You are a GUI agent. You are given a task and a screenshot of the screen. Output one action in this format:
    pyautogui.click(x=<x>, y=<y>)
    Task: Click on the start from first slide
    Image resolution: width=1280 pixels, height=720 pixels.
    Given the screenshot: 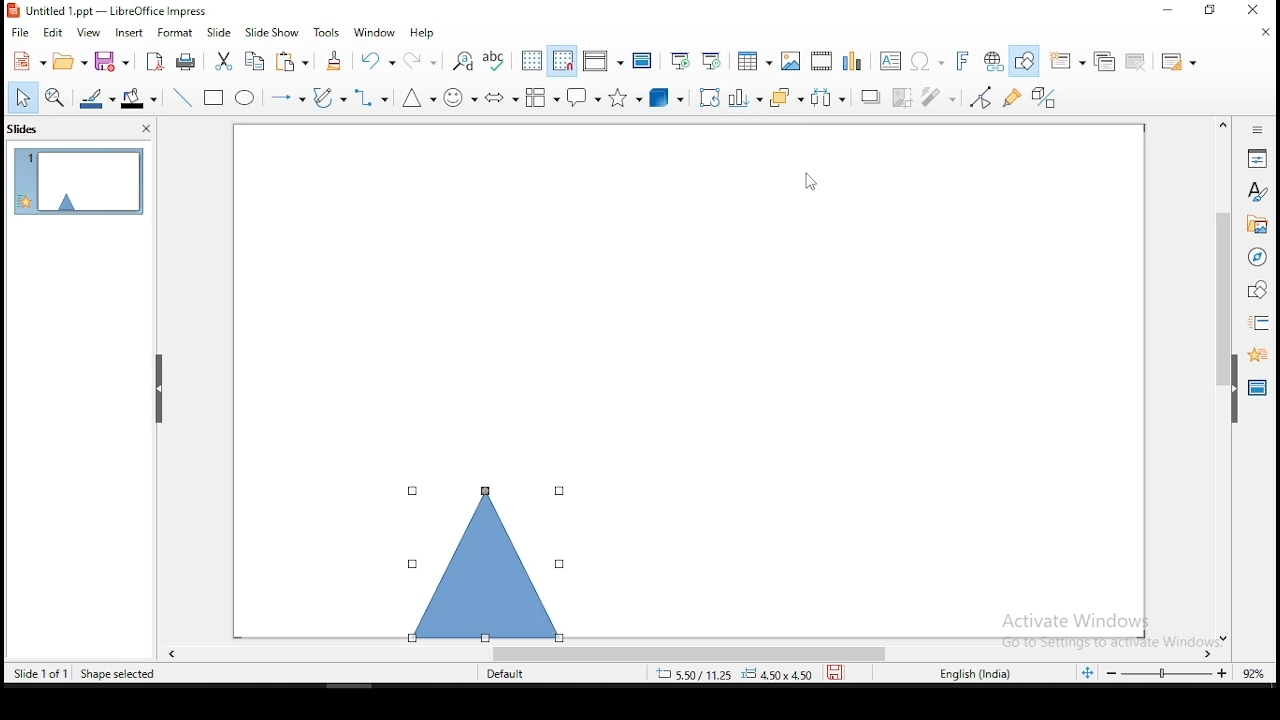 What is the action you would take?
    pyautogui.click(x=680, y=60)
    